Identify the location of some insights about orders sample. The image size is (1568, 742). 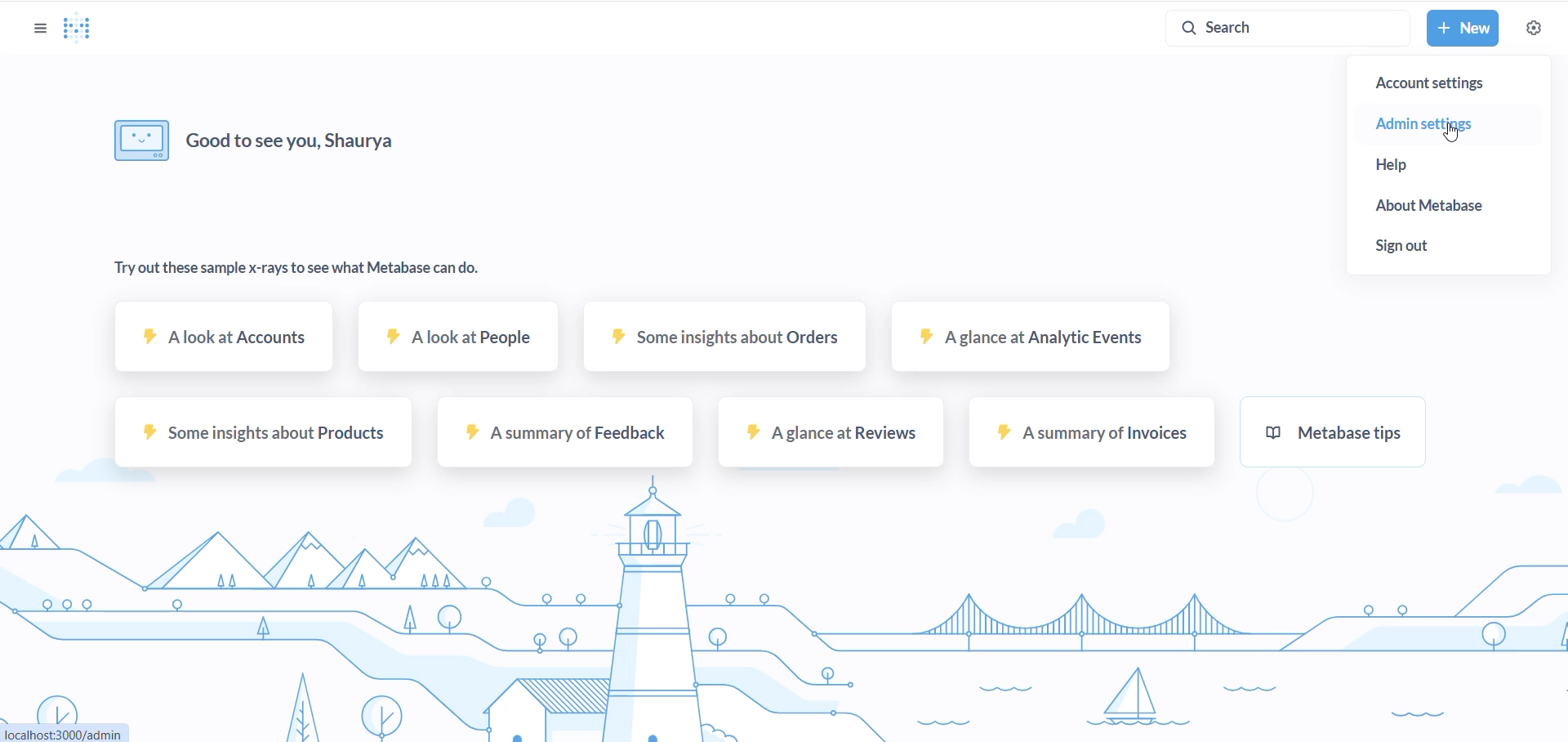
(713, 346).